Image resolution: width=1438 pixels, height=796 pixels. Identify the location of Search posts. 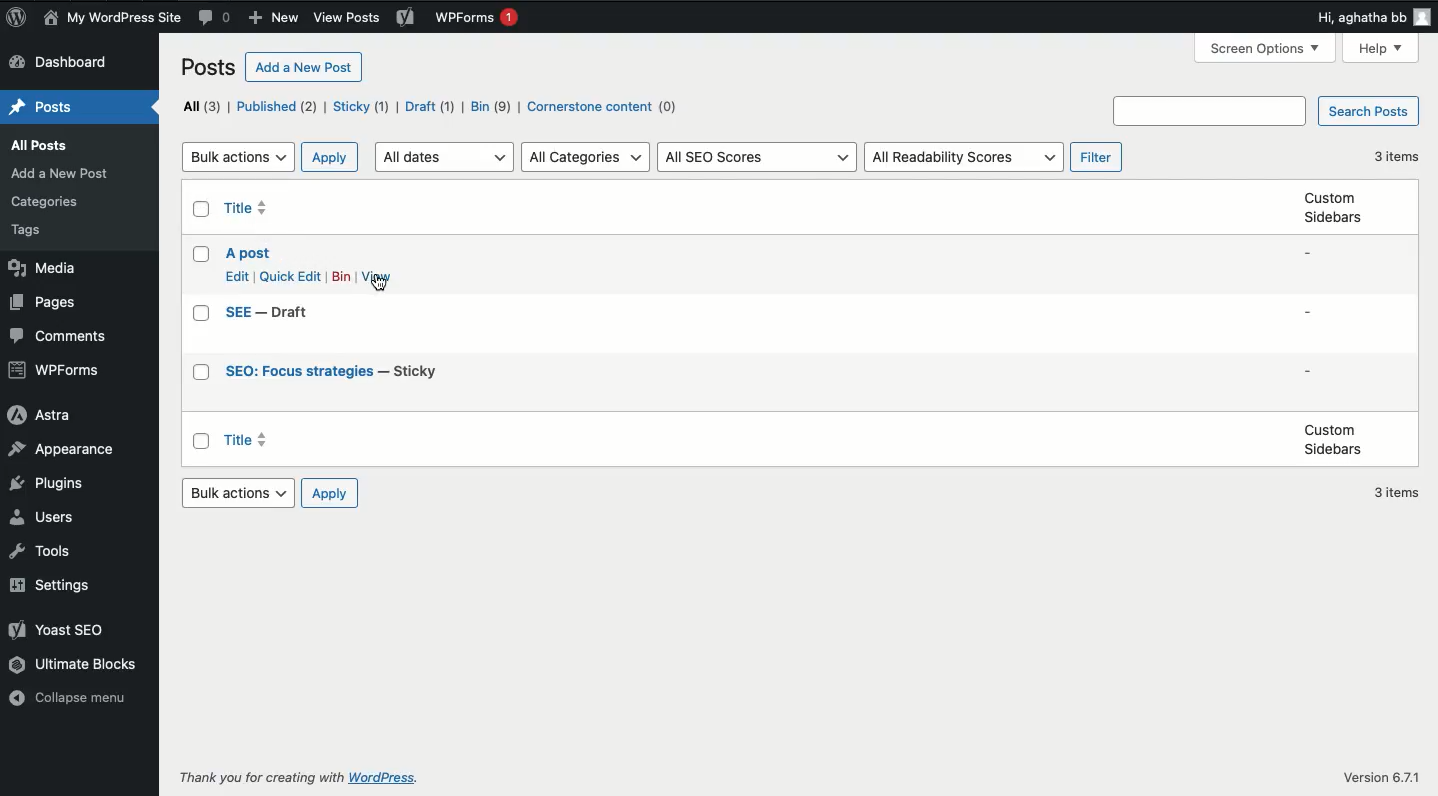
(1371, 111).